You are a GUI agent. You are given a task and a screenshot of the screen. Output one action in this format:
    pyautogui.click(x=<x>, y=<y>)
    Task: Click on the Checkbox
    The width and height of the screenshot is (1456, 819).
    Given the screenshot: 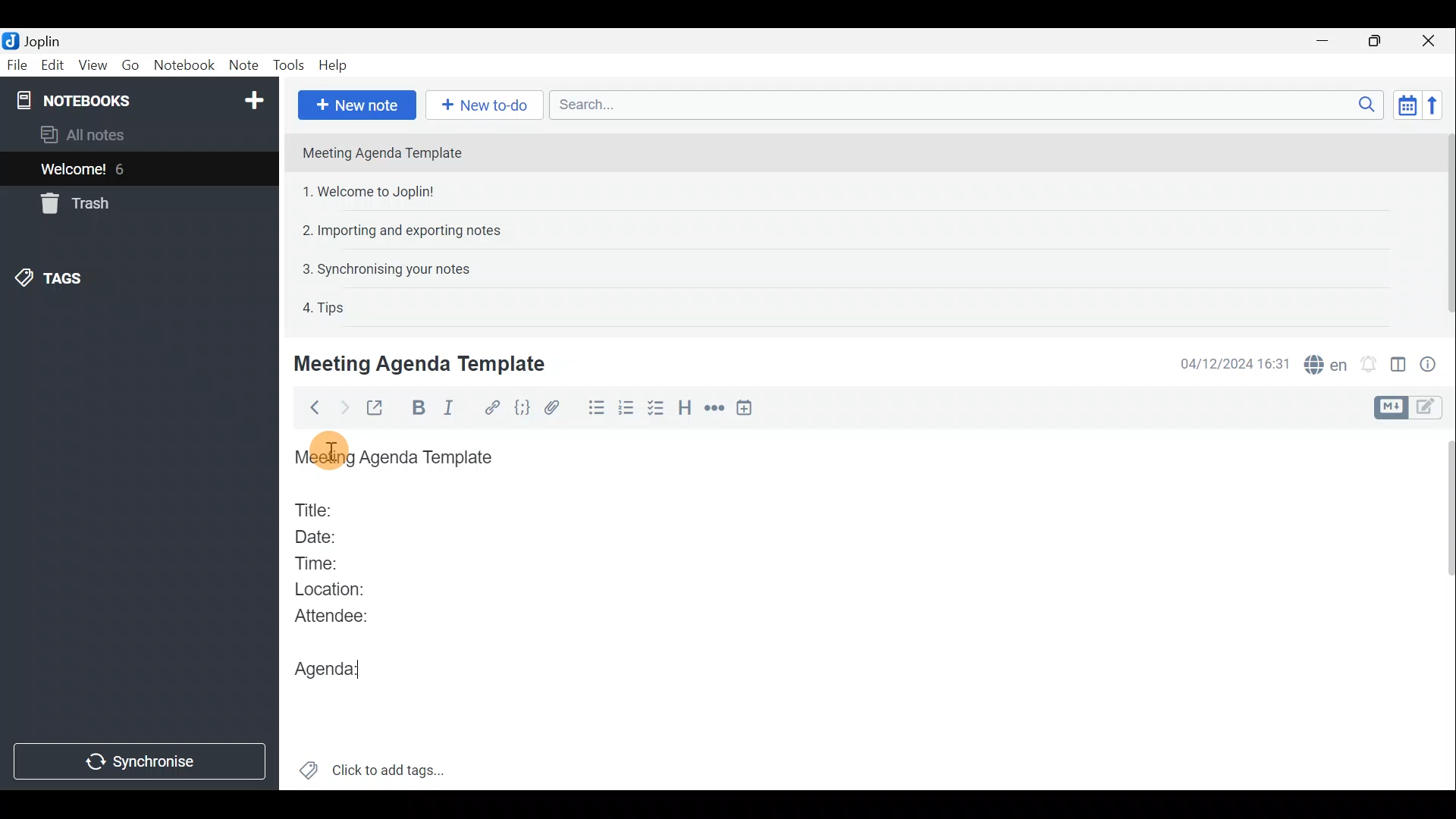 What is the action you would take?
    pyautogui.click(x=654, y=409)
    